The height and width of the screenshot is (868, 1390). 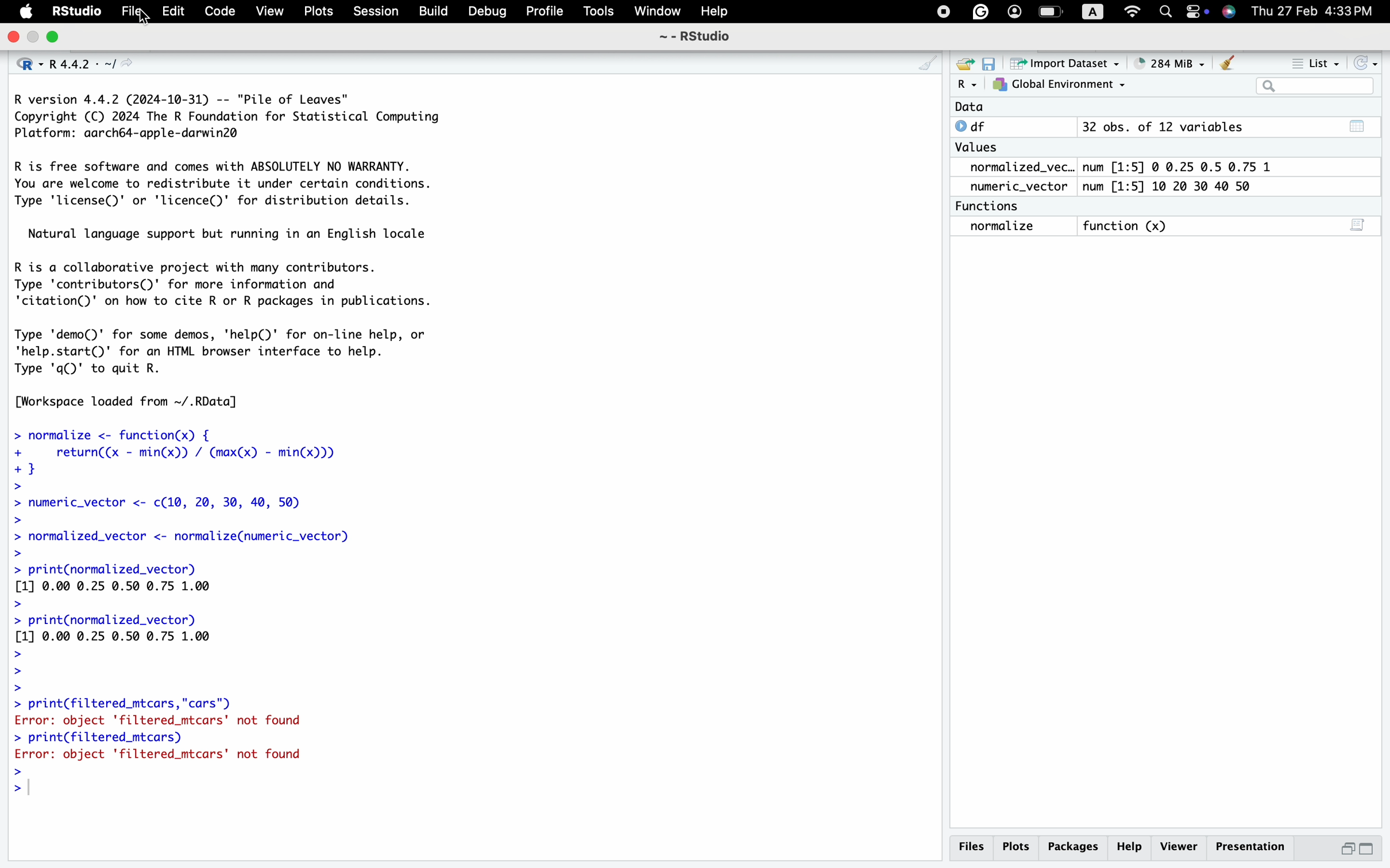 What do you see at coordinates (1023, 187) in the screenshot?
I see `numeric_vector` at bounding box center [1023, 187].